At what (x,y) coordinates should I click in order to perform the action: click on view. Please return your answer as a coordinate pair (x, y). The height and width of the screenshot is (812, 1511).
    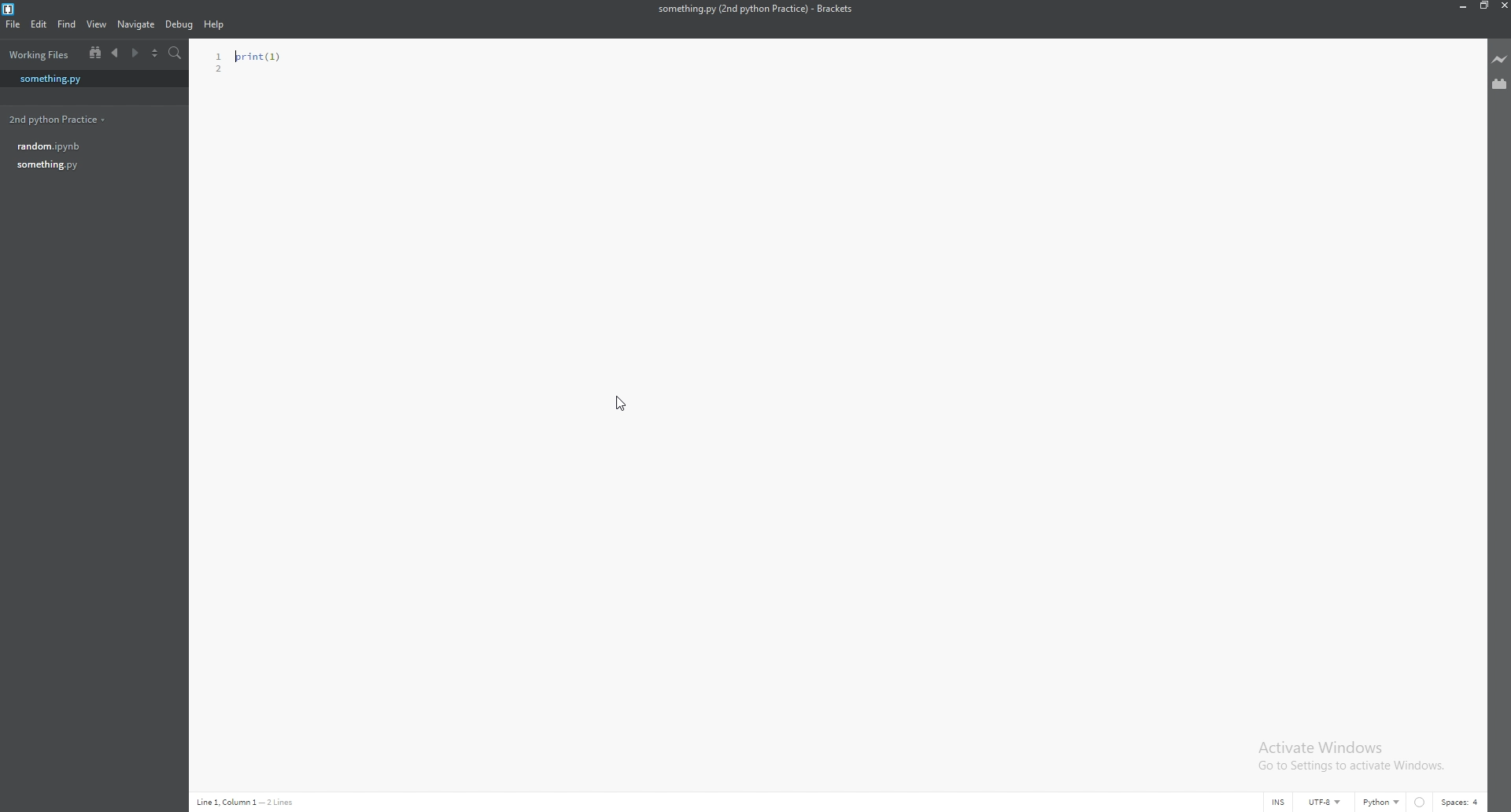
    Looking at the image, I should click on (96, 24).